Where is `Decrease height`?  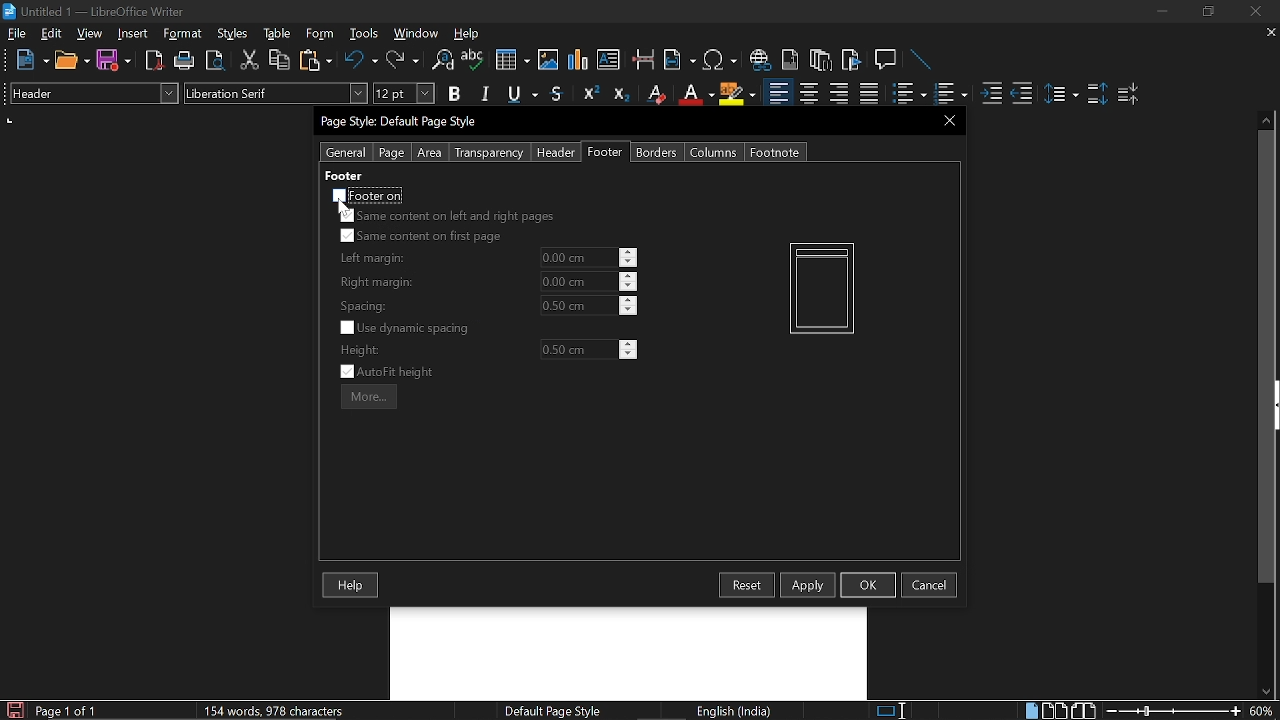
Decrease height is located at coordinates (630, 354).